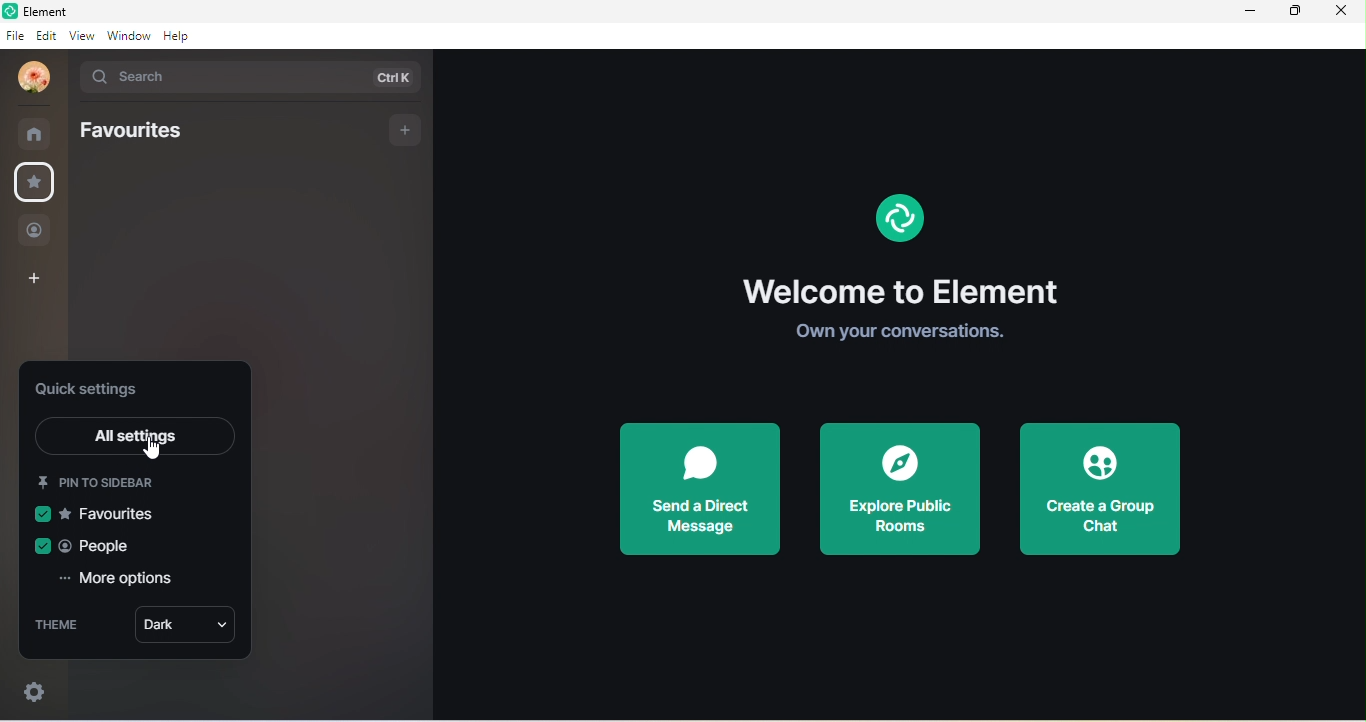  What do you see at coordinates (27, 692) in the screenshot?
I see `quick settings` at bounding box center [27, 692].